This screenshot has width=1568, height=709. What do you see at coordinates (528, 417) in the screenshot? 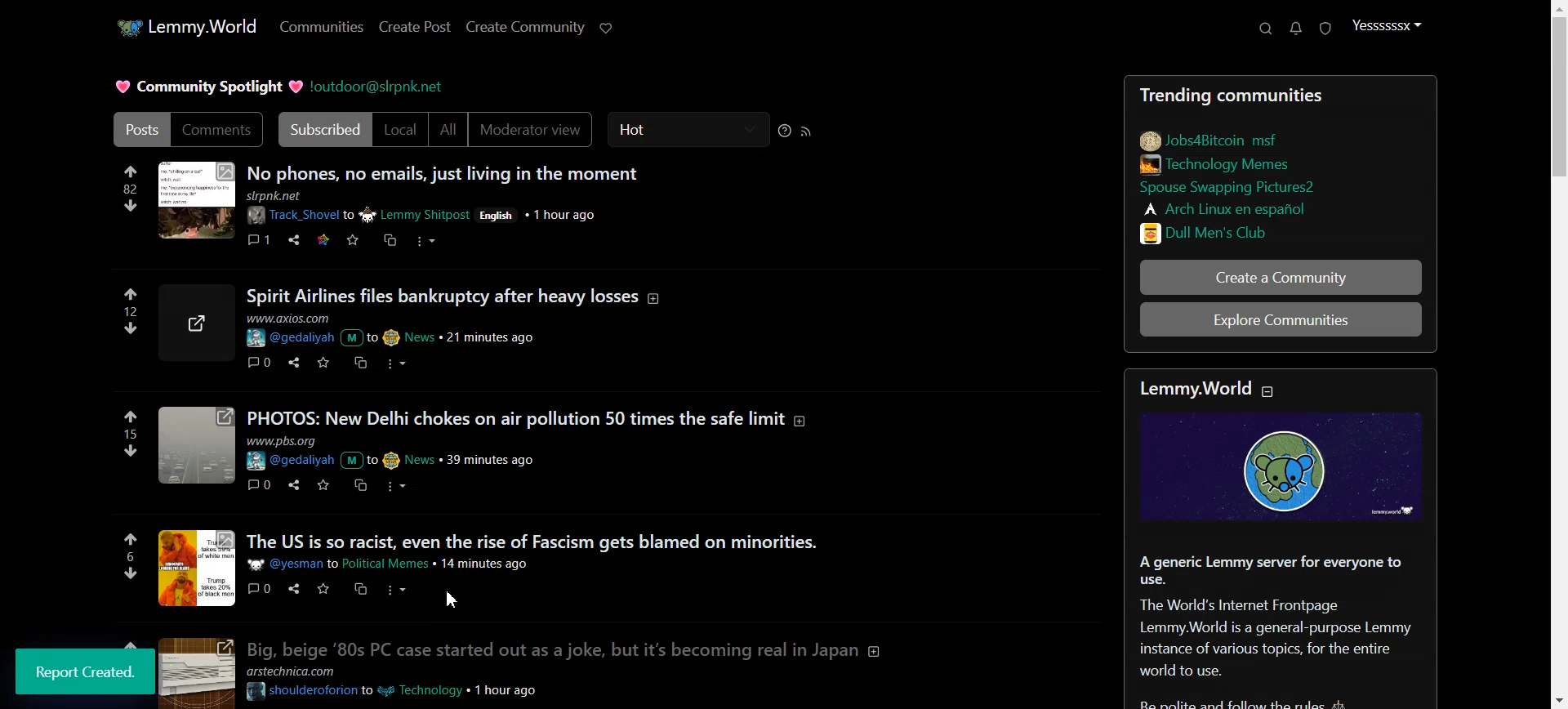
I see `posts` at bounding box center [528, 417].